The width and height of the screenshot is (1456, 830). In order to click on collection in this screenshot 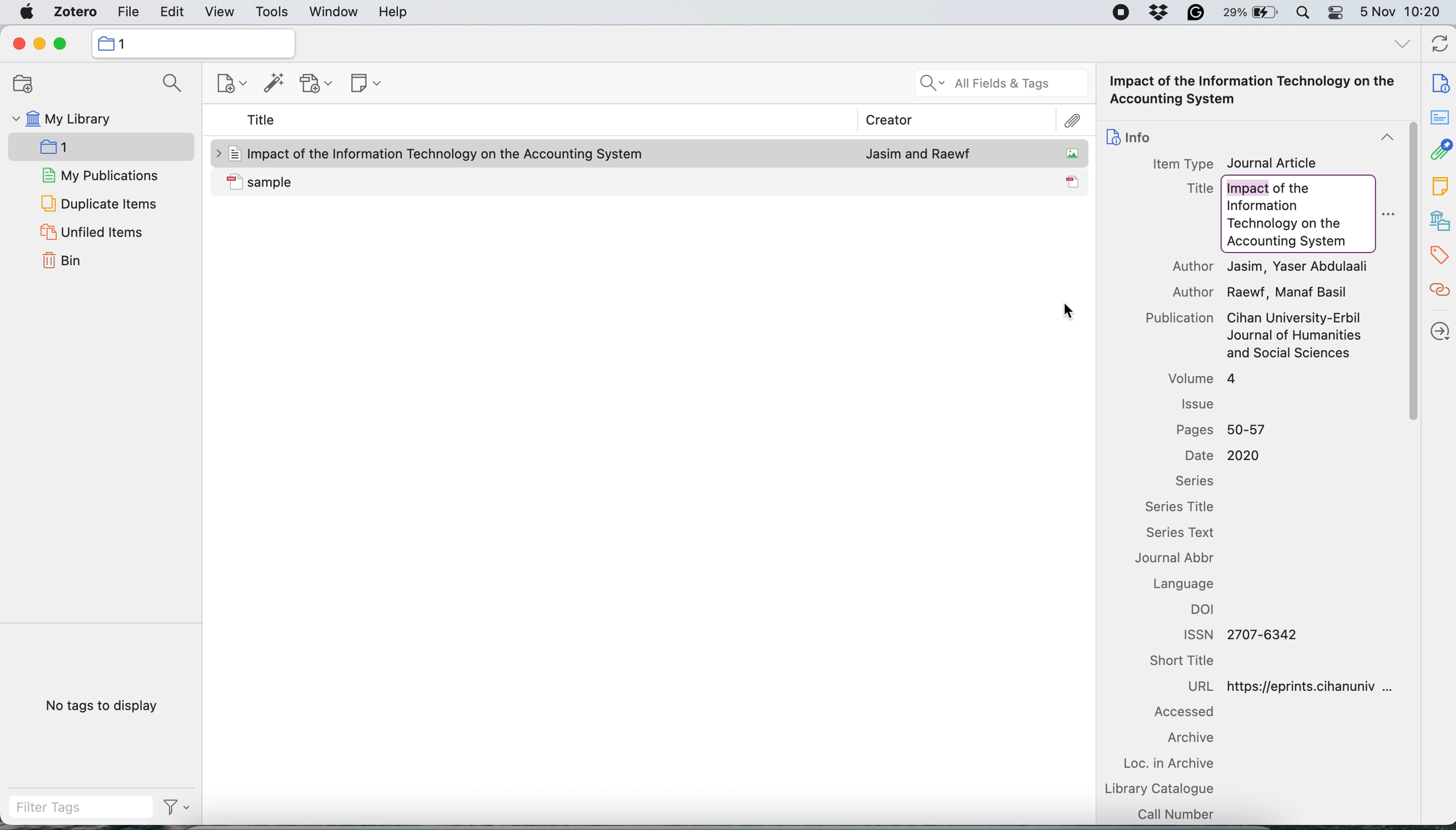, I will do `click(125, 44)`.